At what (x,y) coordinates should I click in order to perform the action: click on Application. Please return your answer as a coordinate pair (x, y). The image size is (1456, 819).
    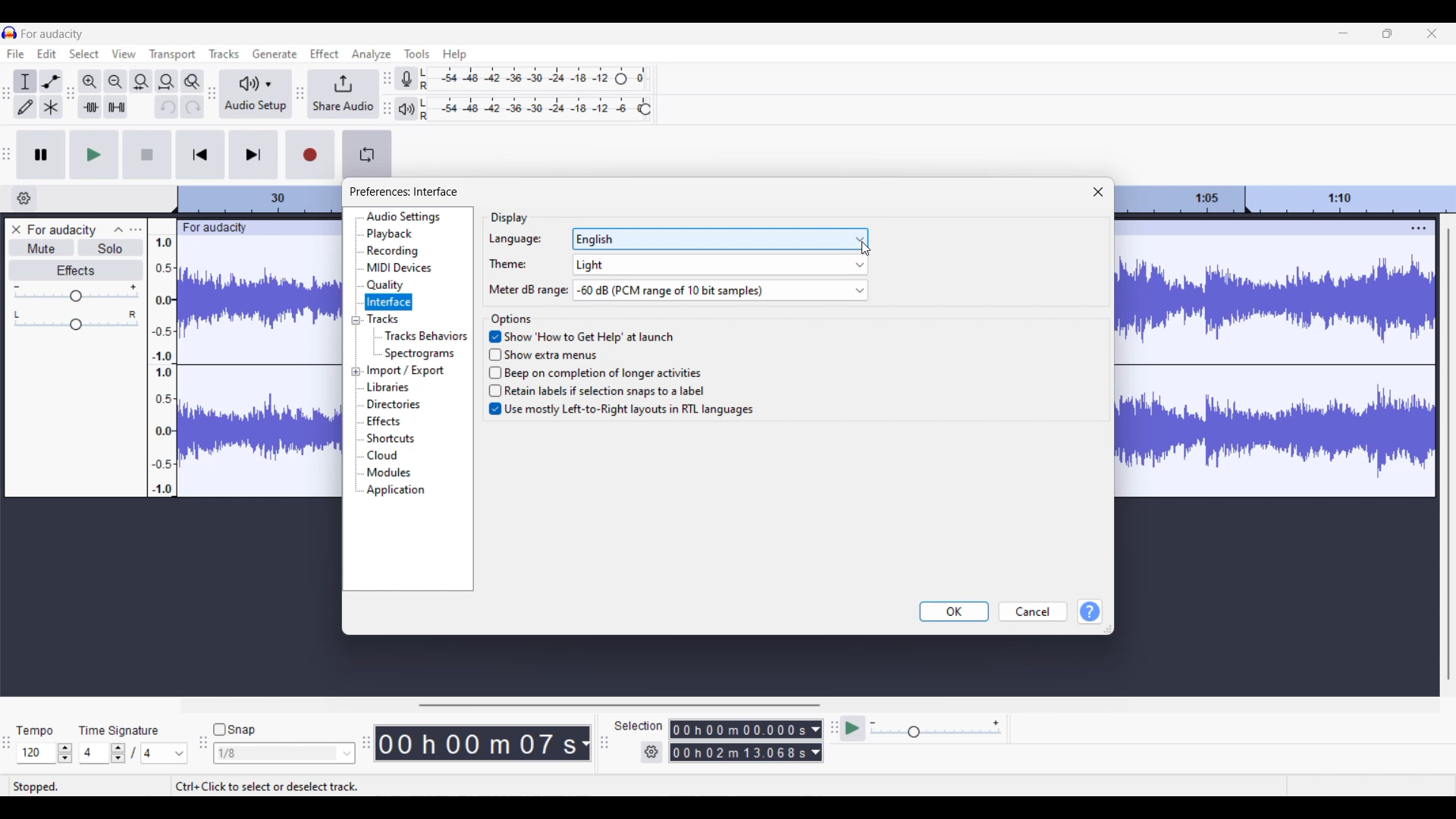
    Looking at the image, I should click on (396, 491).